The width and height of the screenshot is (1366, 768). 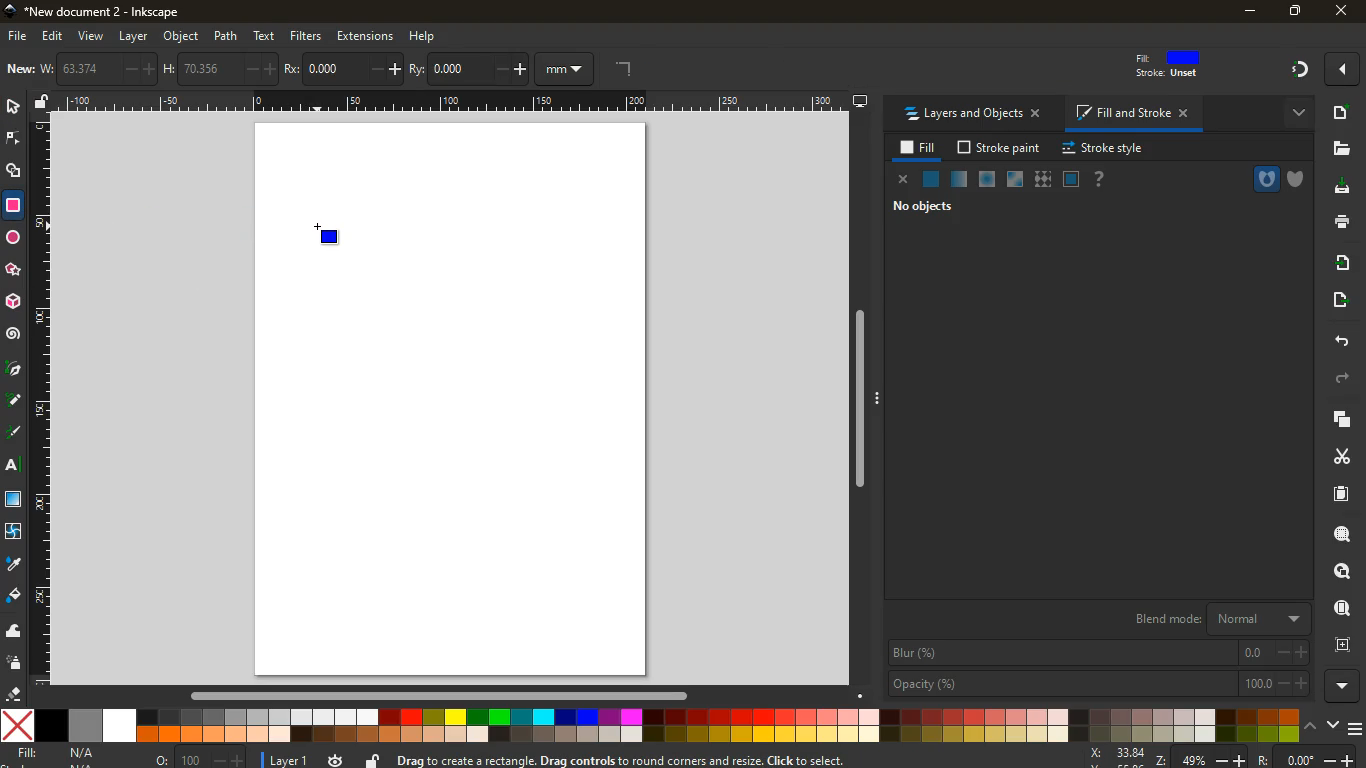 What do you see at coordinates (1344, 646) in the screenshot?
I see `frame` at bounding box center [1344, 646].